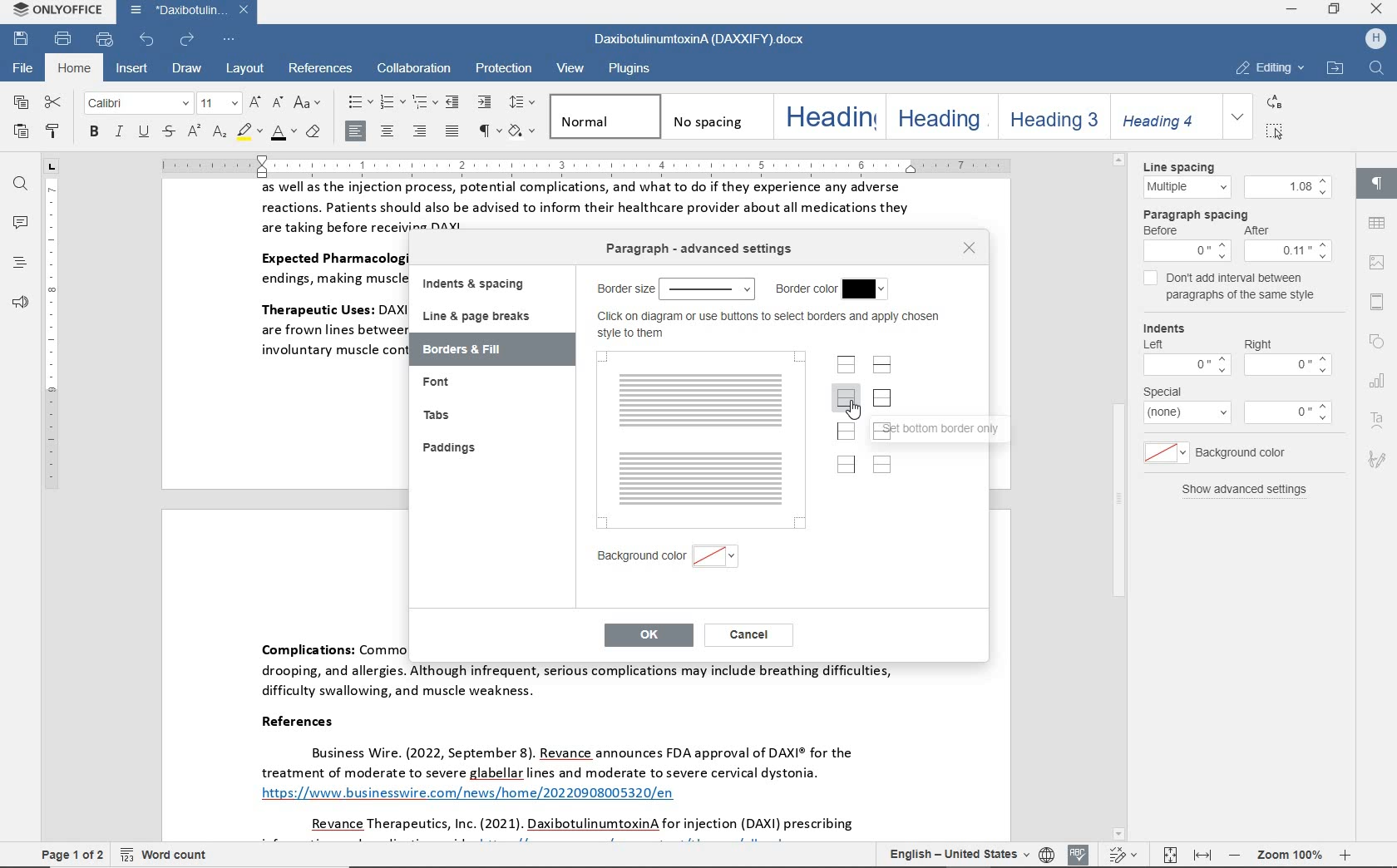 The image size is (1397, 868). What do you see at coordinates (357, 131) in the screenshot?
I see `align left` at bounding box center [357, 131].